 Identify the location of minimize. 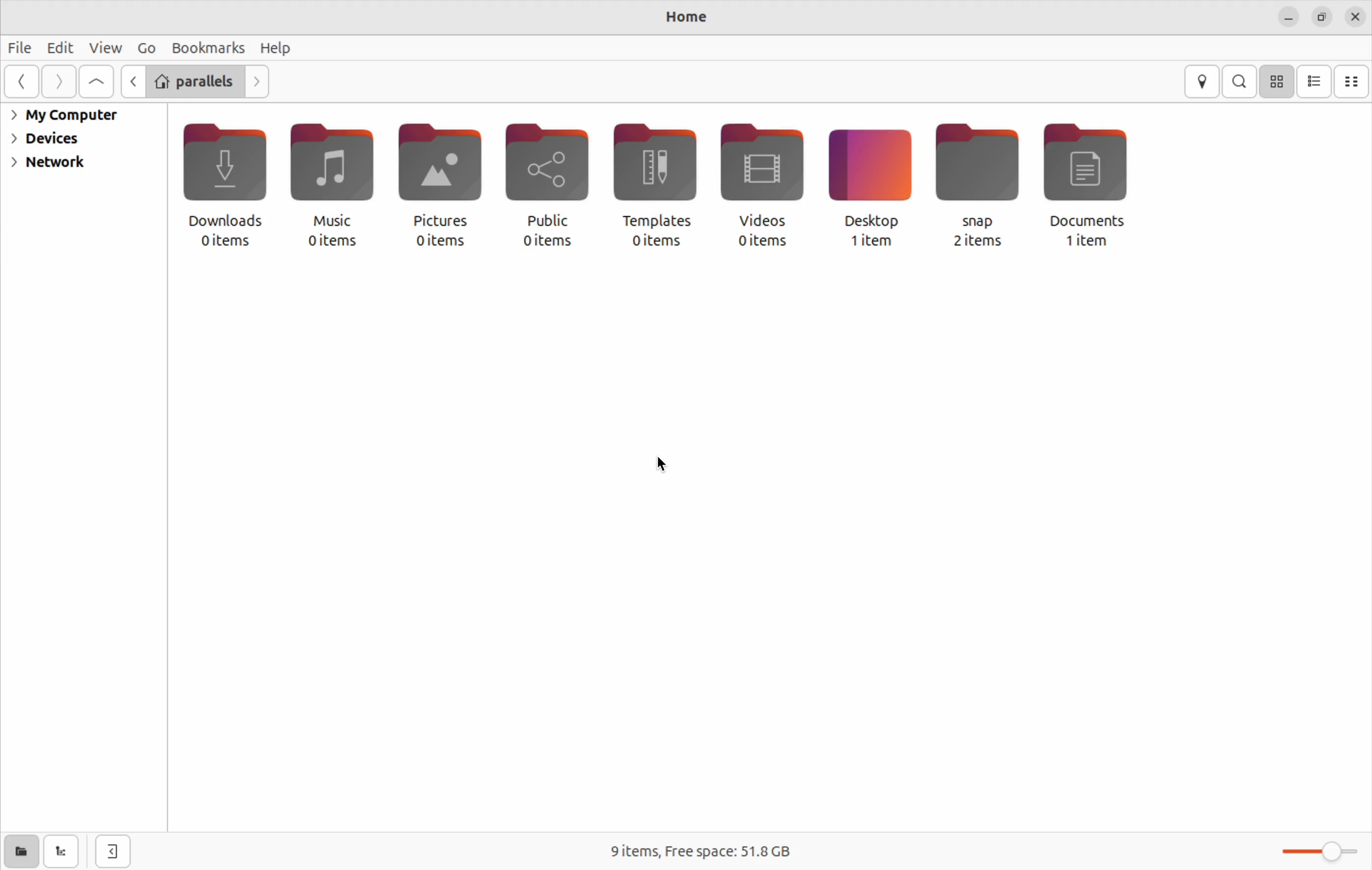
(1285, 18).